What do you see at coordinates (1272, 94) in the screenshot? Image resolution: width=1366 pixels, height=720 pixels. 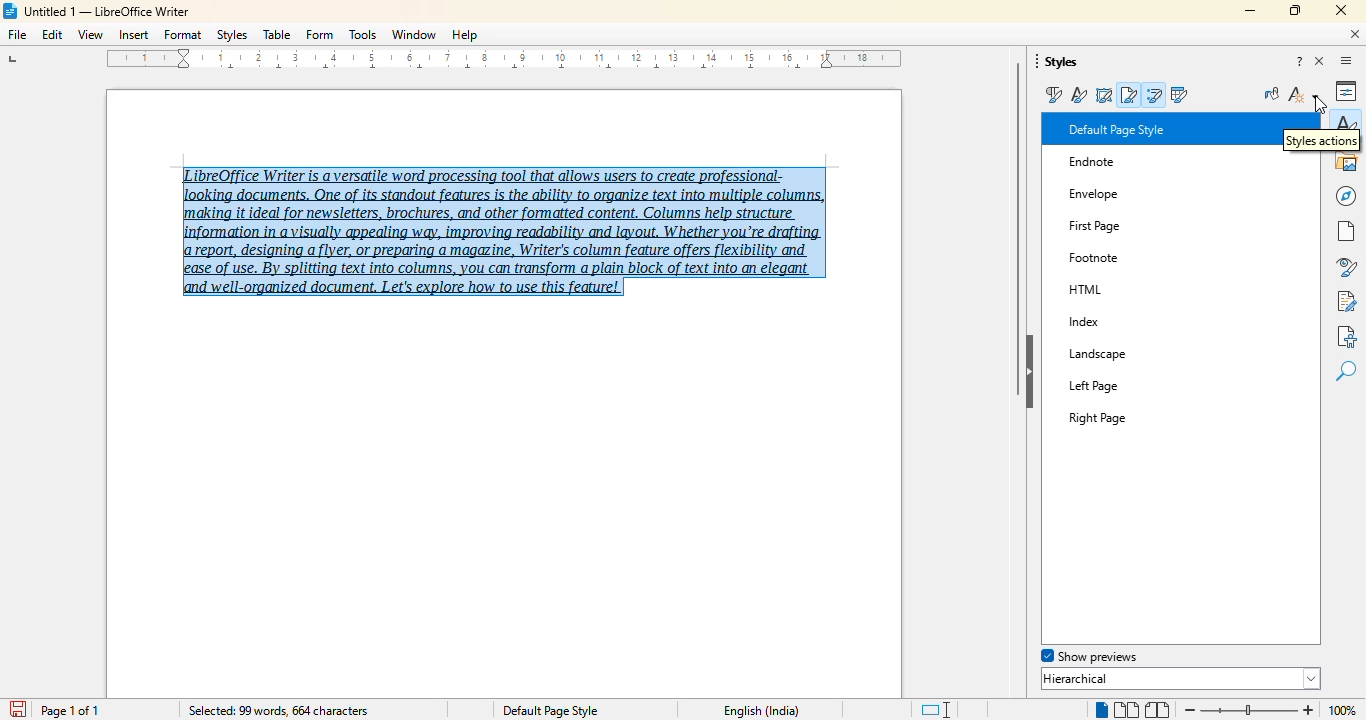 I see `fill format mode` at bounding box center [1272, 94].